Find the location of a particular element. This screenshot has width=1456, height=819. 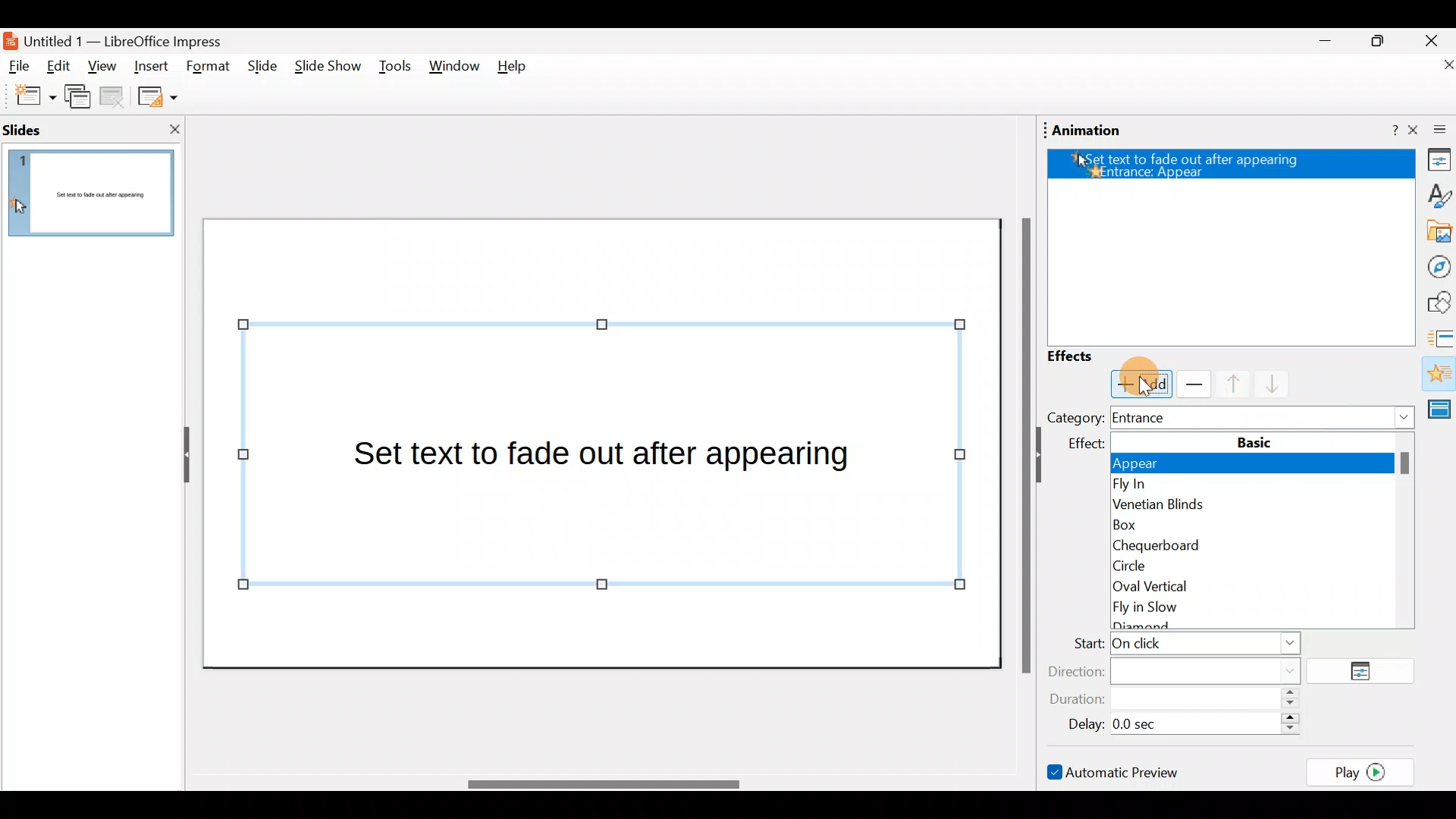

Gallery is located at coordinates (1436, 232).